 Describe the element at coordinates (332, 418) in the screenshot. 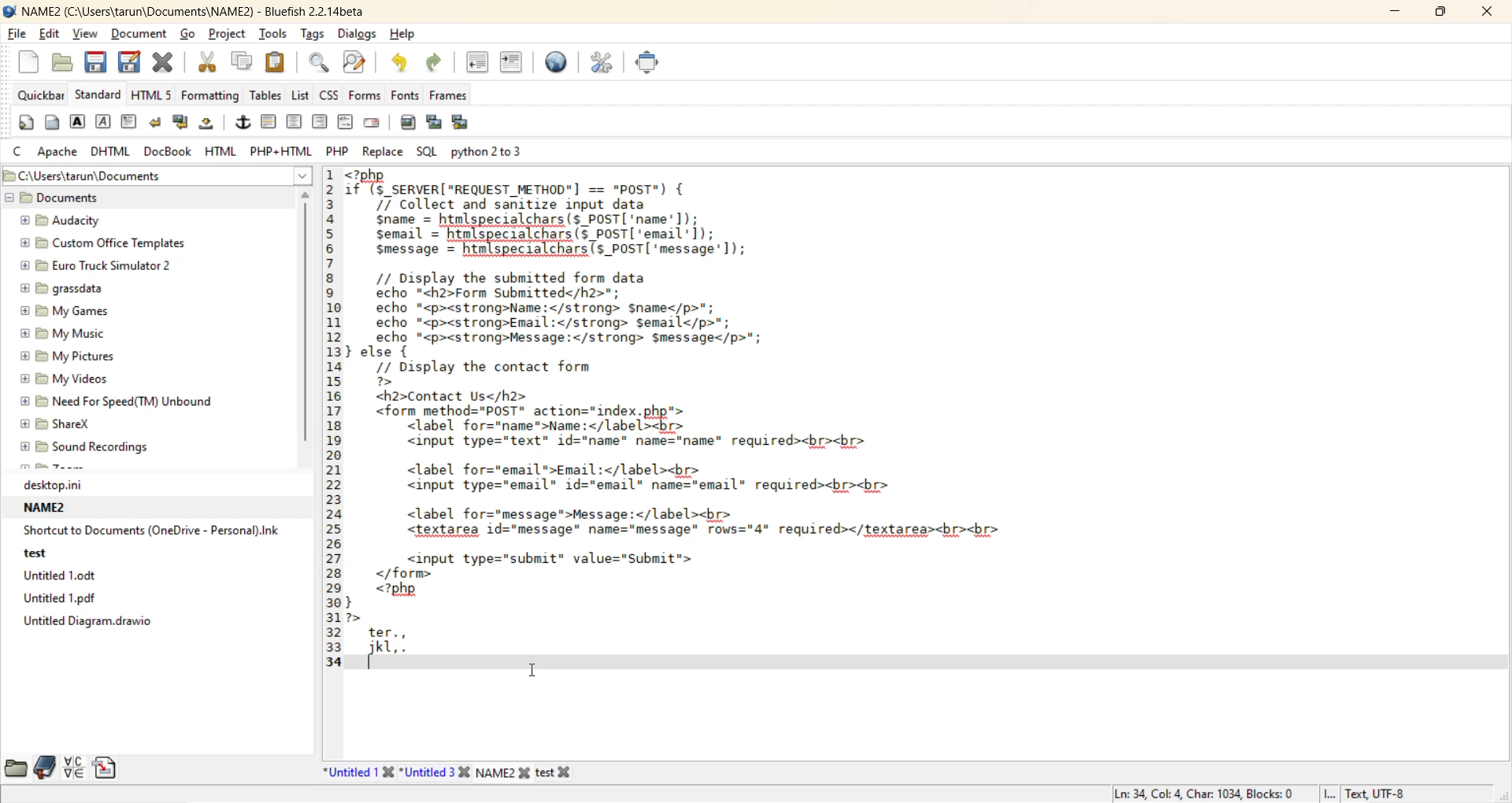

I see `Line Number` at that location.